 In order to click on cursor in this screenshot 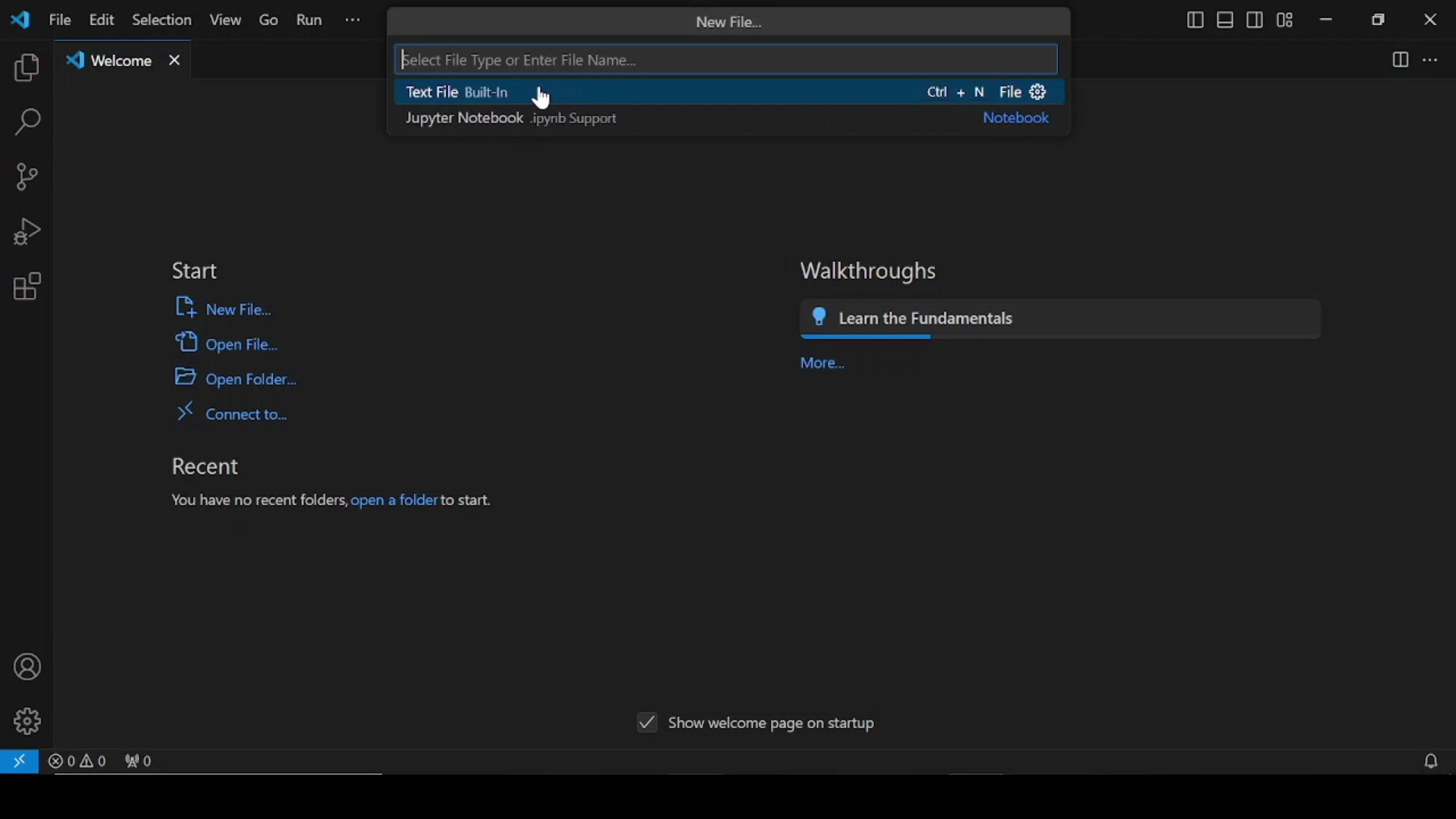, I will do `click(541, 94)`.